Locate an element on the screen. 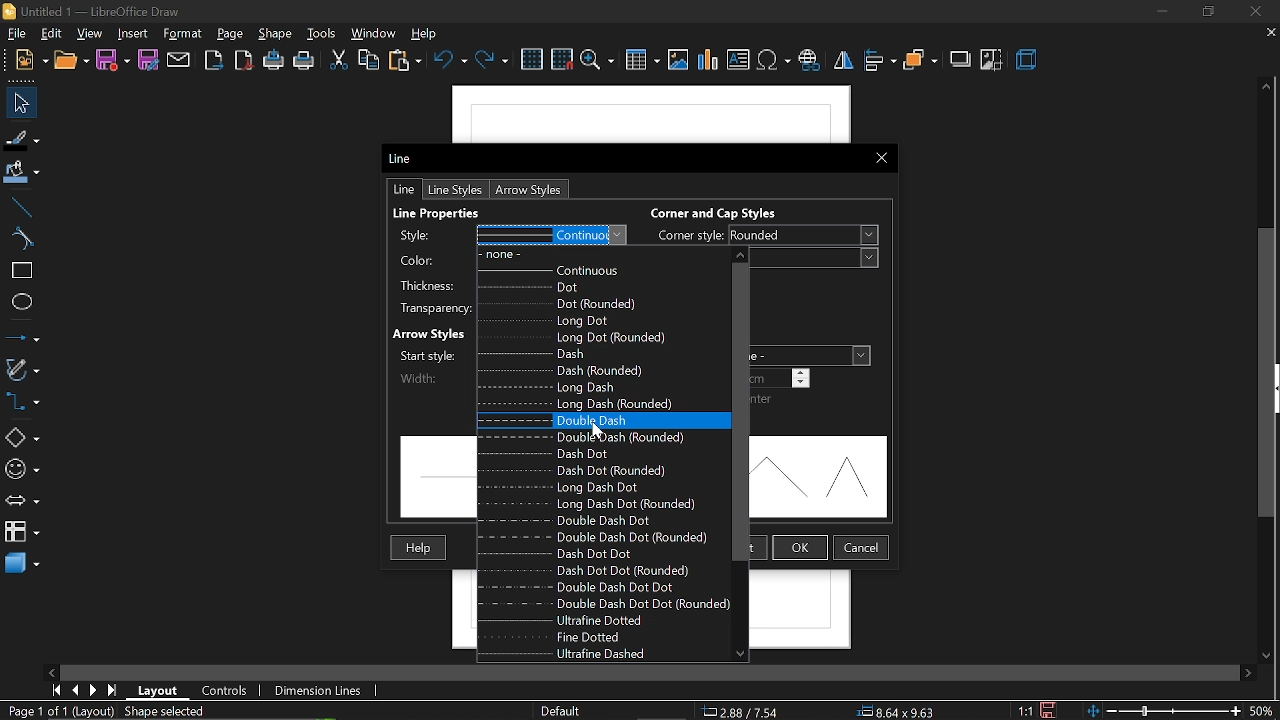 This screenshot has width=1280, height=720. page is located at coordinates (230, 33).